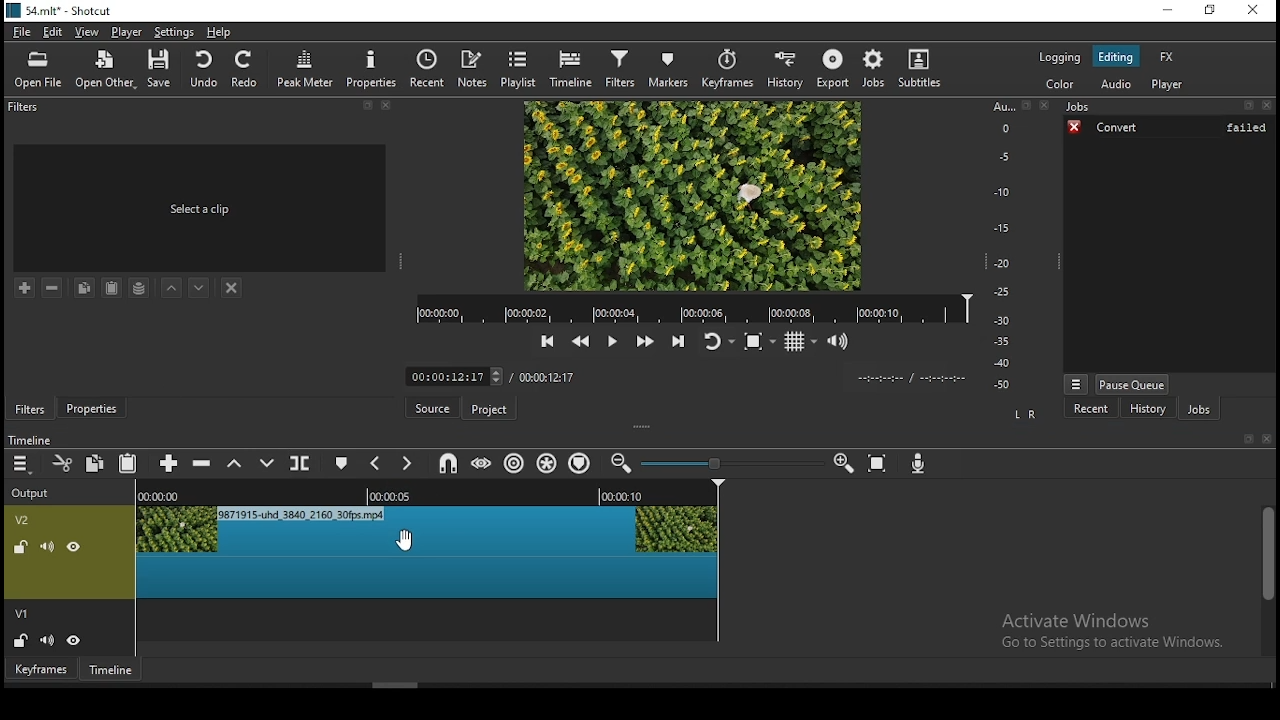 The width and height of the screenshot is (1280, 720). I want to click on ripple delete, so click(202, 464).